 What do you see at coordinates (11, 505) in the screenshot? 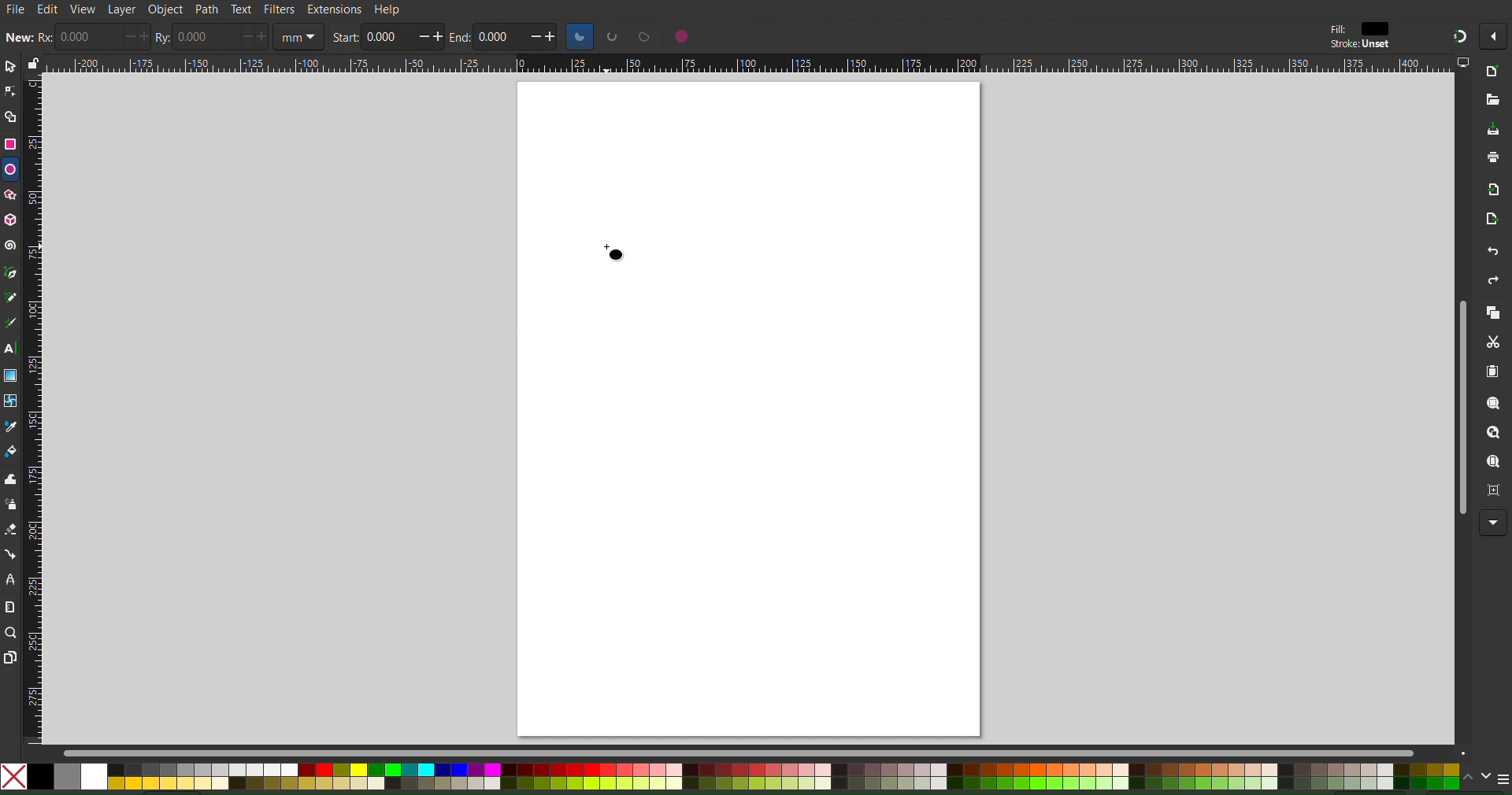
I see `Spray Tool` at bounding box center [11, 505].